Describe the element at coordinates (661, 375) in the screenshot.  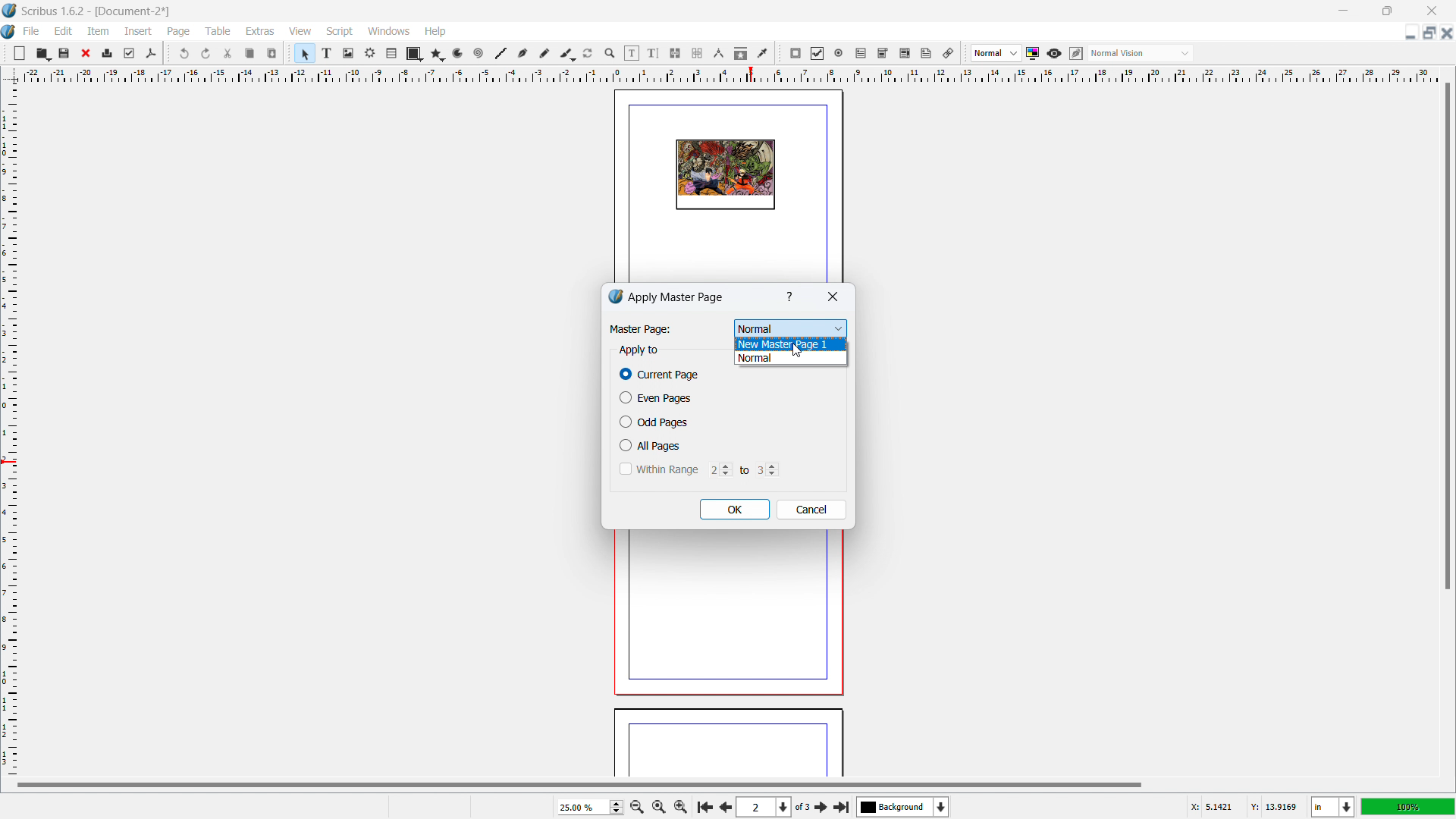
I see `current page checkbox` at that location.